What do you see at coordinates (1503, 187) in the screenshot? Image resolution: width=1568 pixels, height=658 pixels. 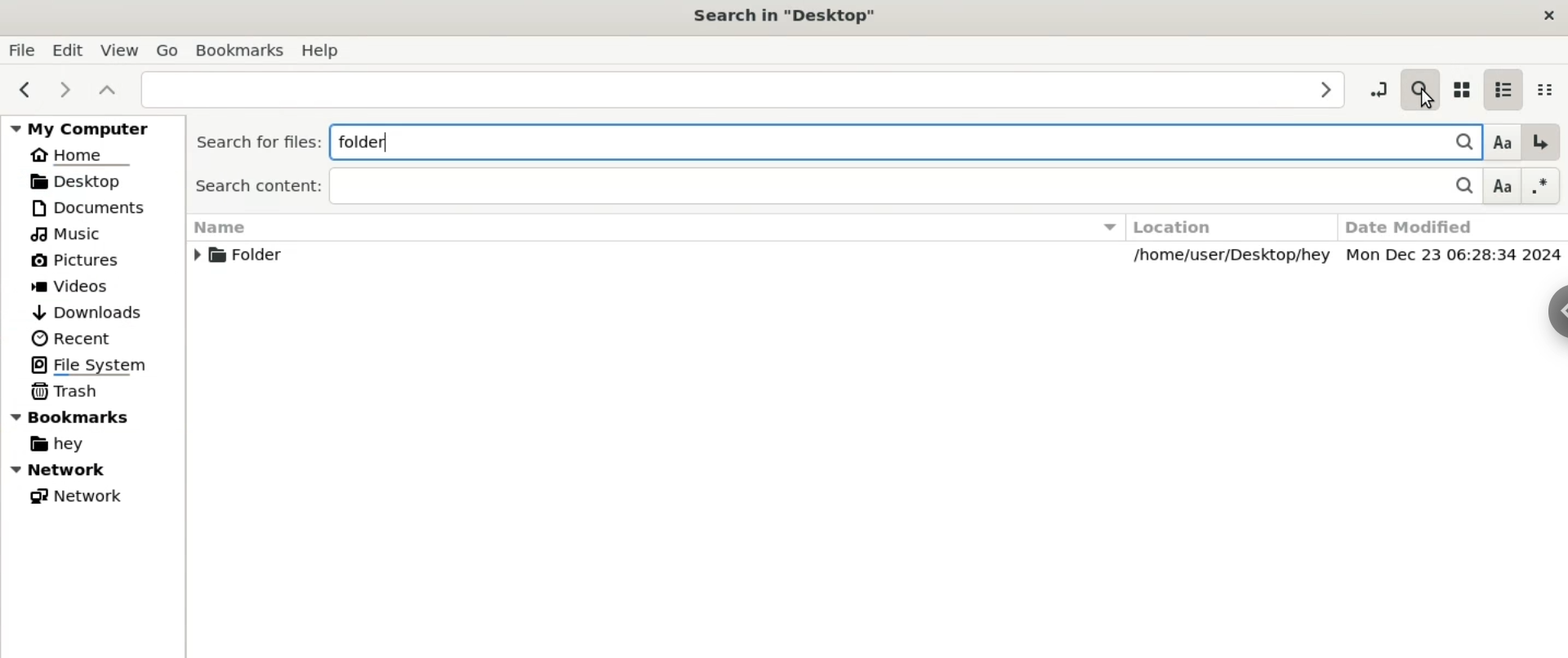 I see `Font` at bounding box center [1503, 187].